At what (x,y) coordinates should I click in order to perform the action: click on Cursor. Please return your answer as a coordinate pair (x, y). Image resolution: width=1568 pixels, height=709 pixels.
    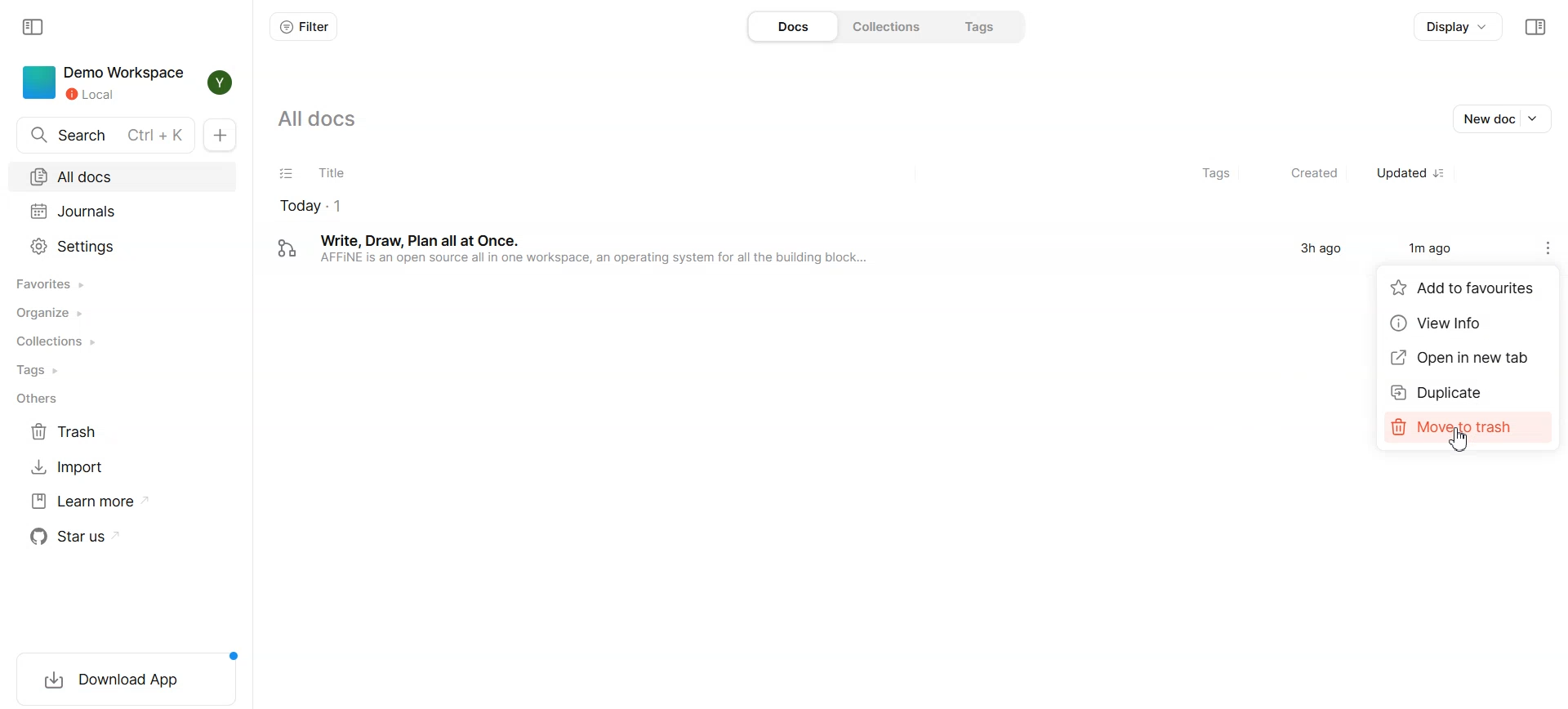
    Looking at the image, I should click on (1460, 440).